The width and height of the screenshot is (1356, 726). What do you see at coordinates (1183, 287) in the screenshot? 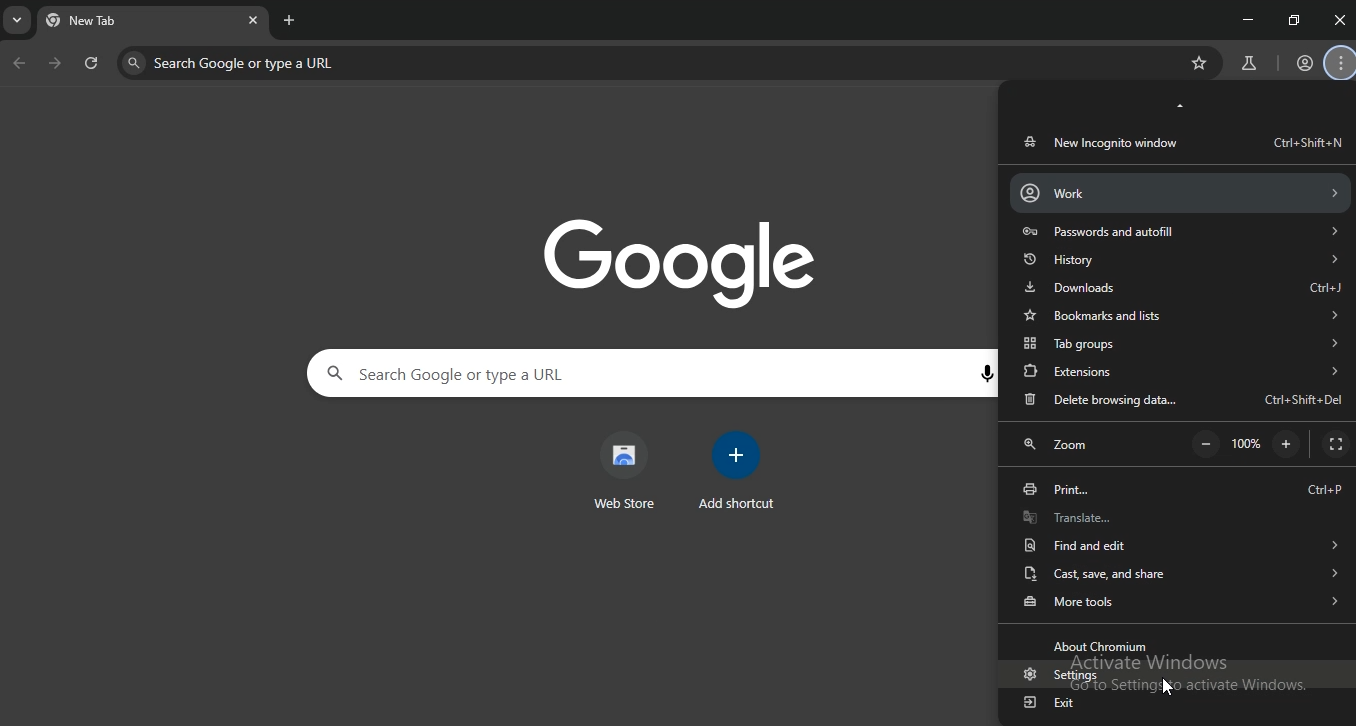
I see `downloads` at bounding box center [1183, 287].